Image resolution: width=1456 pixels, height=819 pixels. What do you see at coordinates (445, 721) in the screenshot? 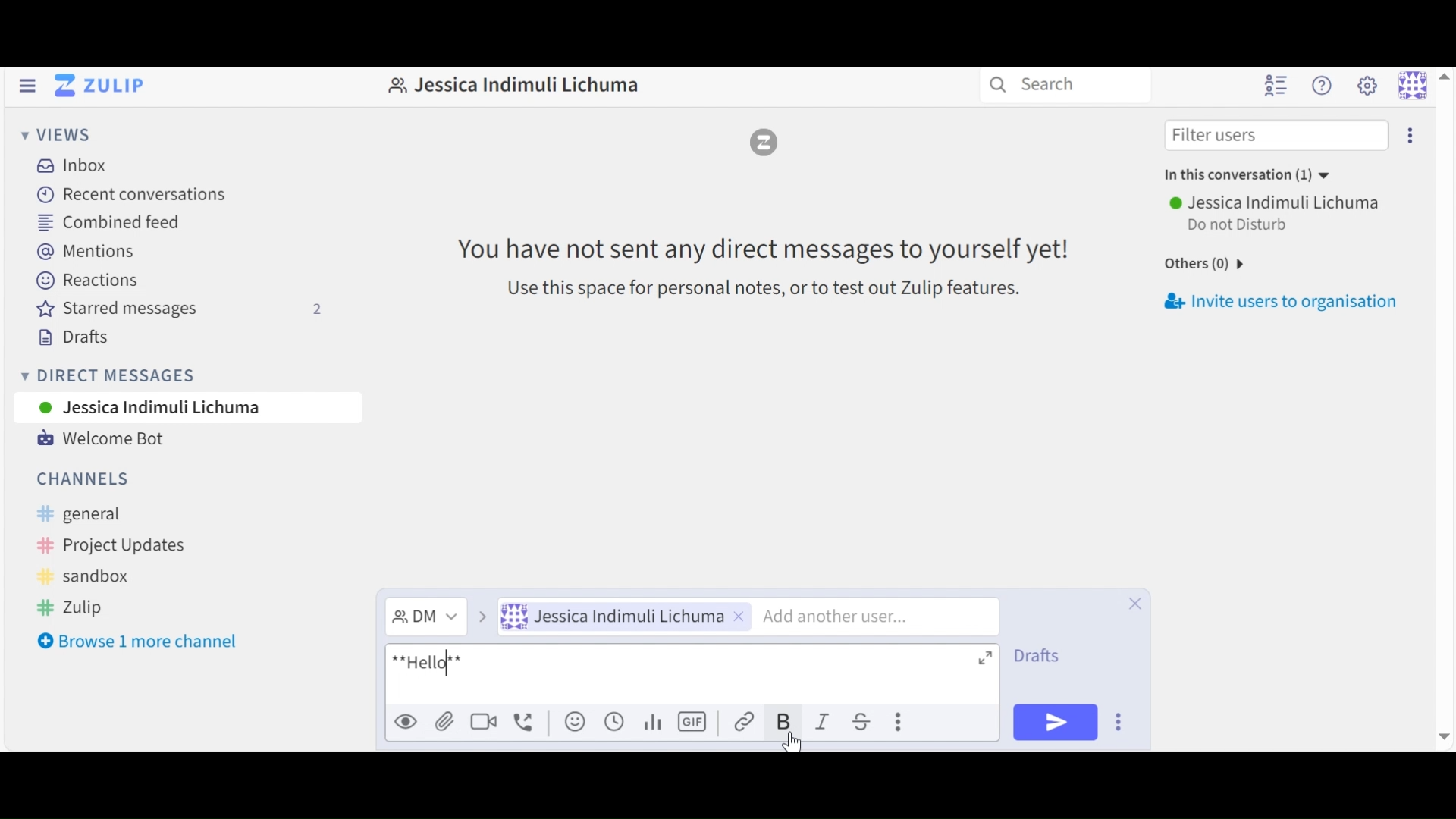
I see `Upload files` at bounding box center [445, 721].